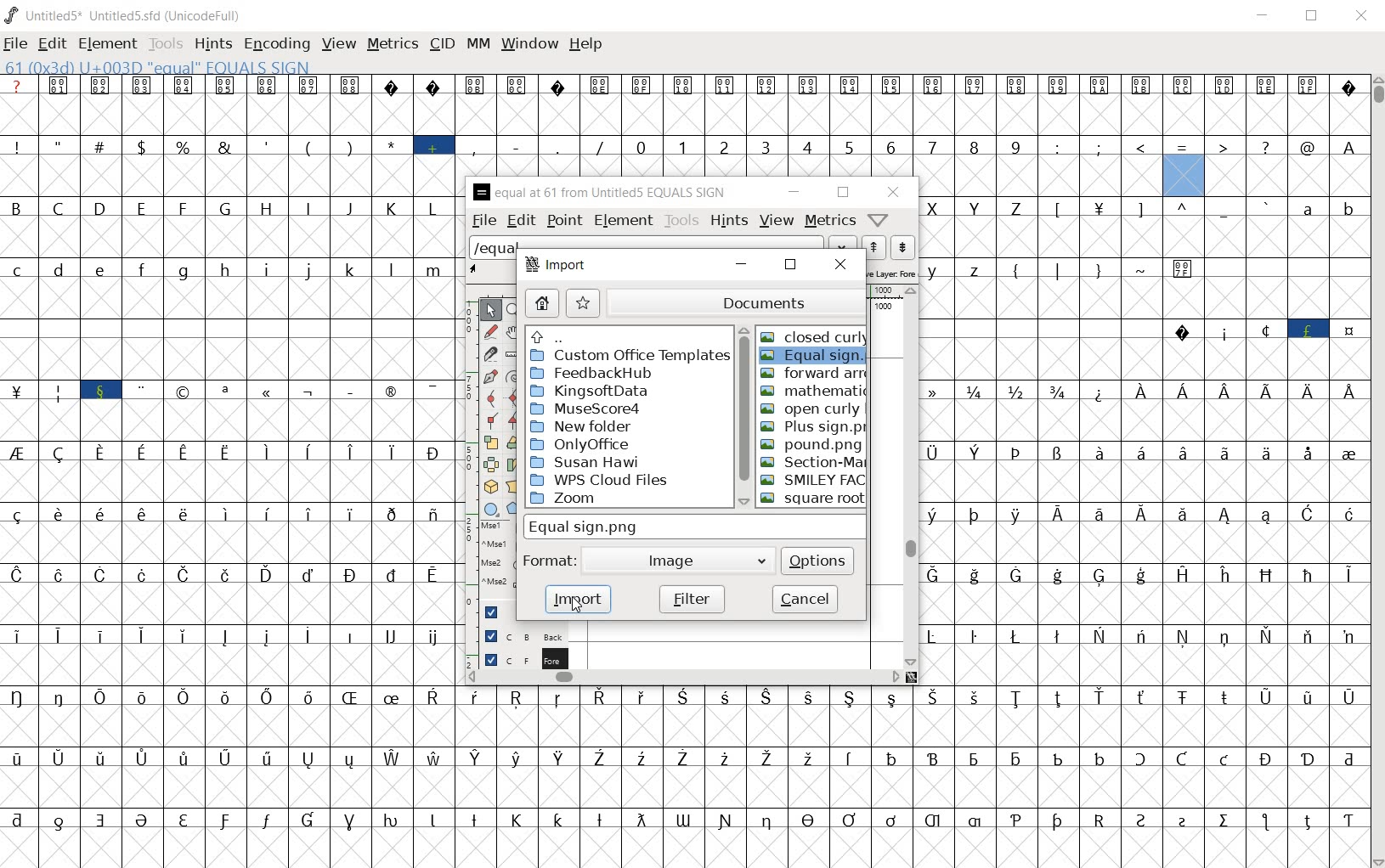 The height and width of the screenshot is (868, 1385). Describe the element at coordinates (744, 418) in the screenshot. I see `` at that location.